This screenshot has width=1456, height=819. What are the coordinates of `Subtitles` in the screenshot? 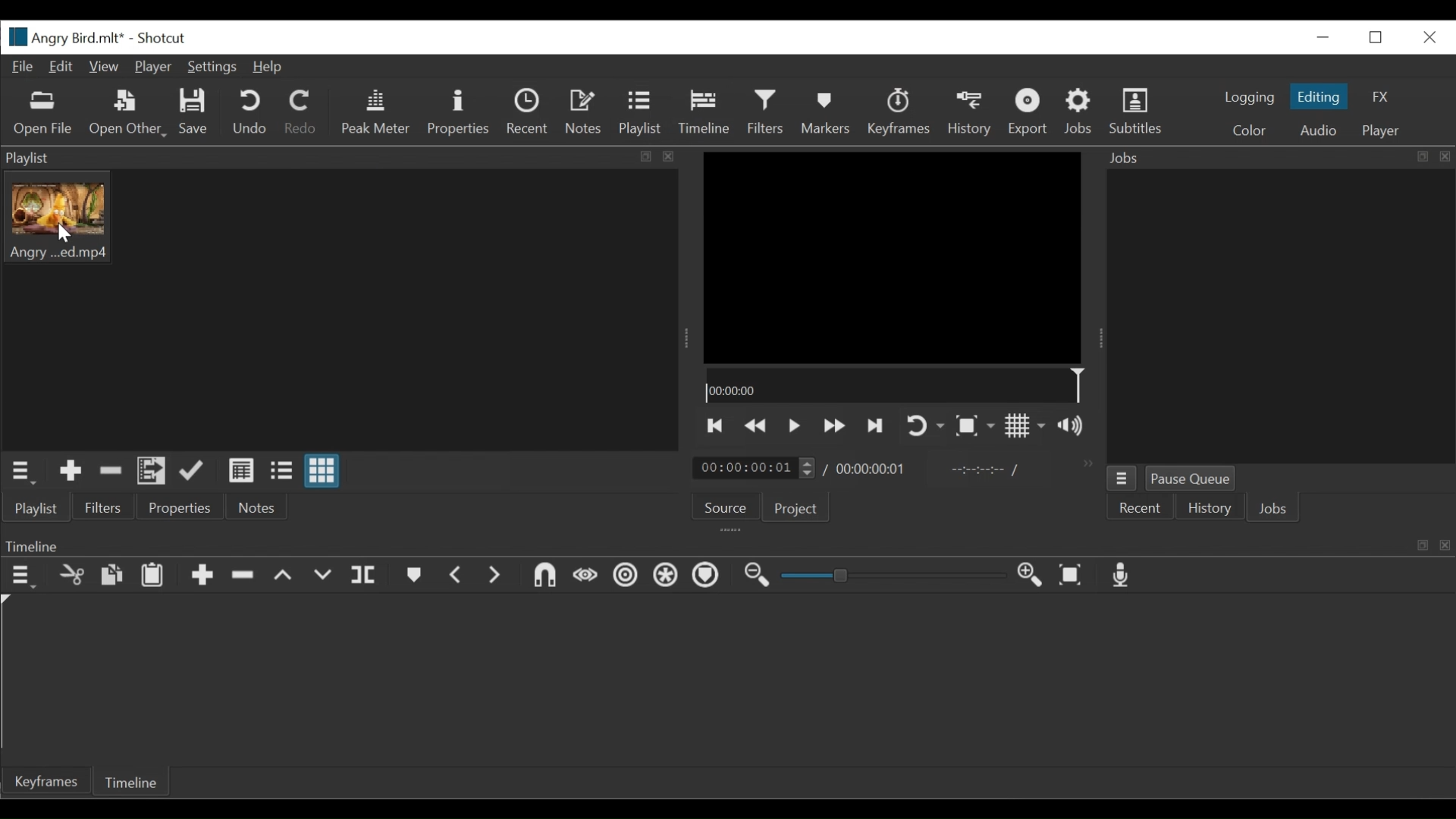 It's located at (1137, 111).